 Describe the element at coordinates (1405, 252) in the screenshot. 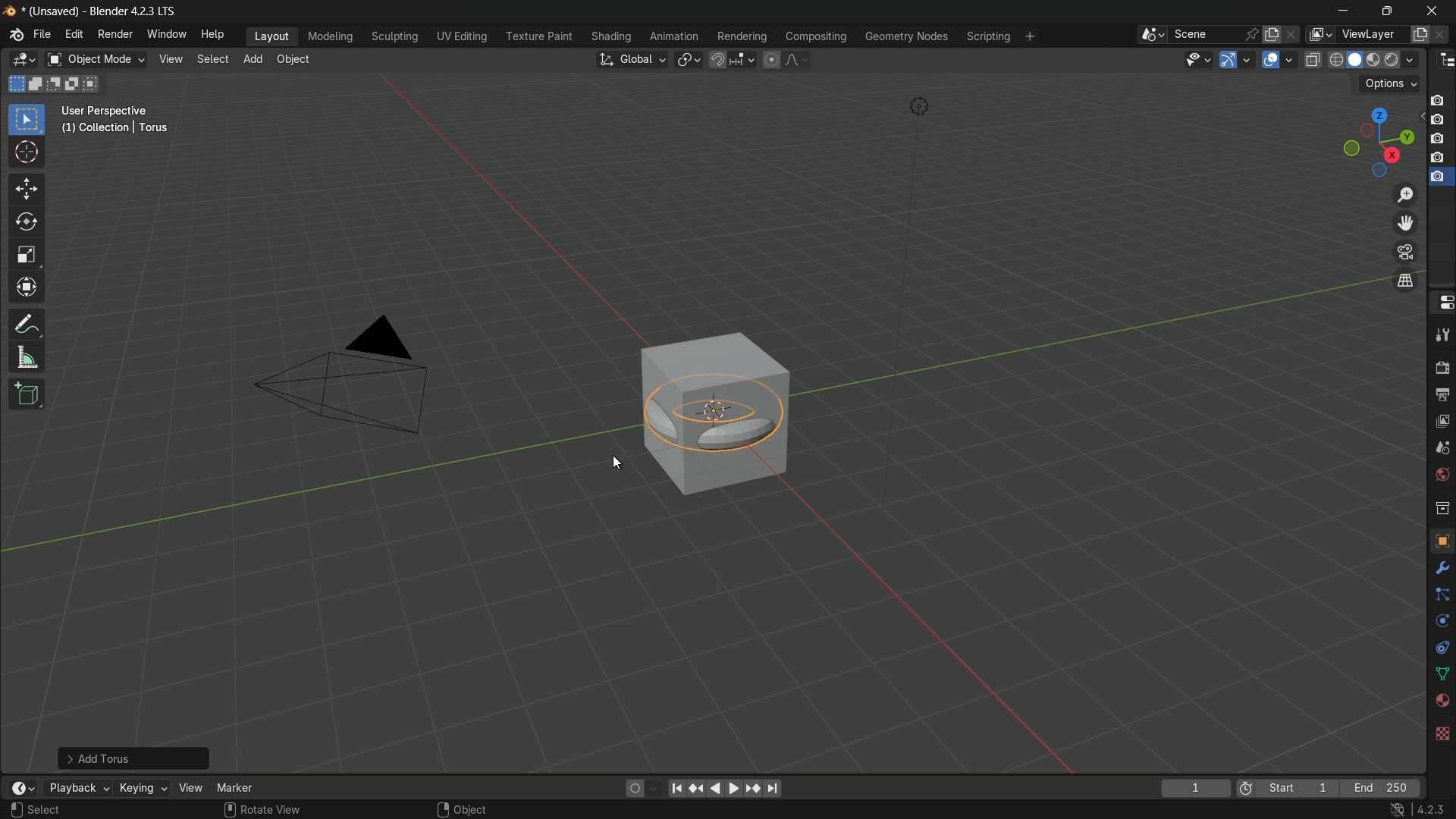

I see `toggle the camera view` at that location.